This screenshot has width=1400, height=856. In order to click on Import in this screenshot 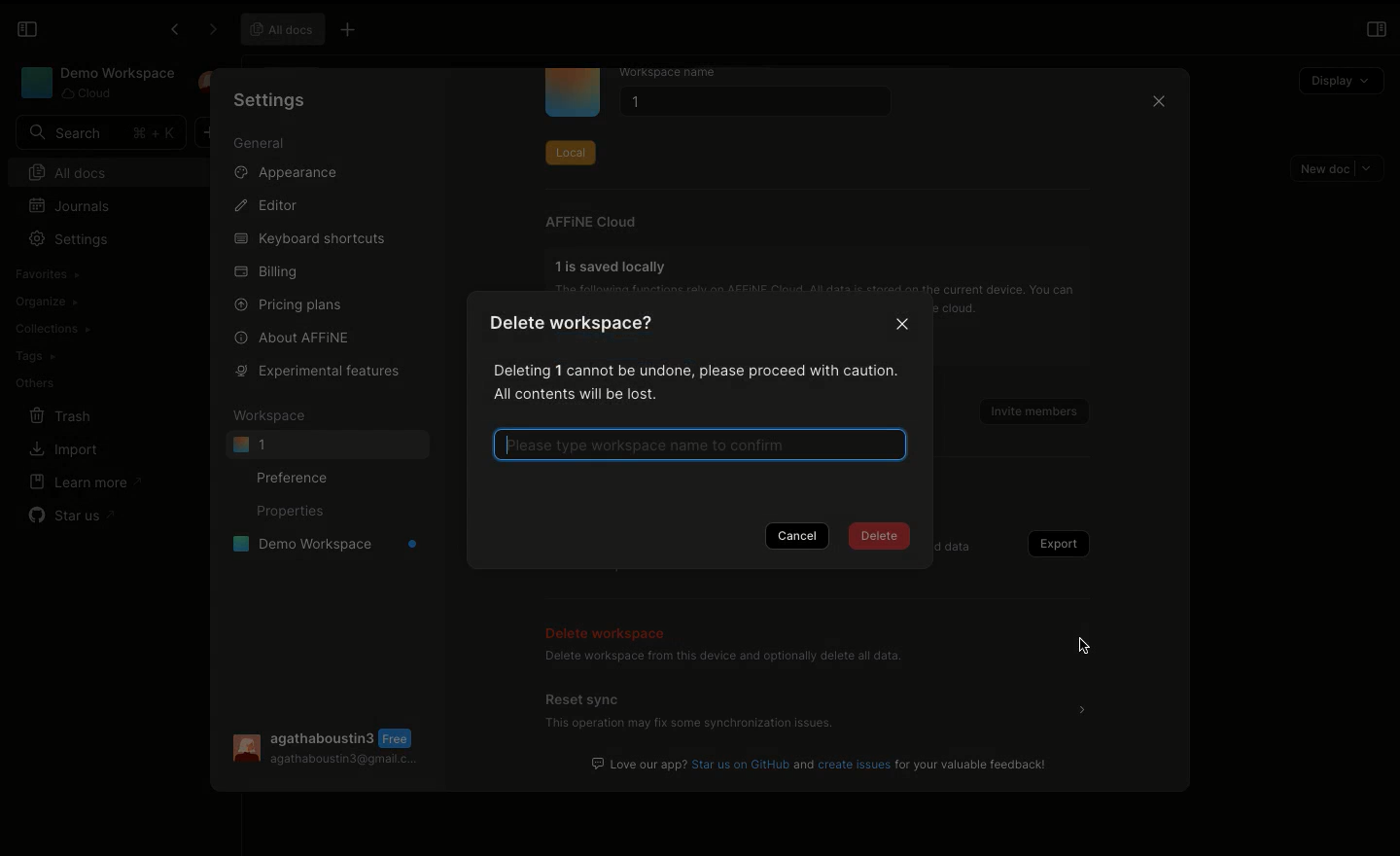, I will do `click(63, 450)`.